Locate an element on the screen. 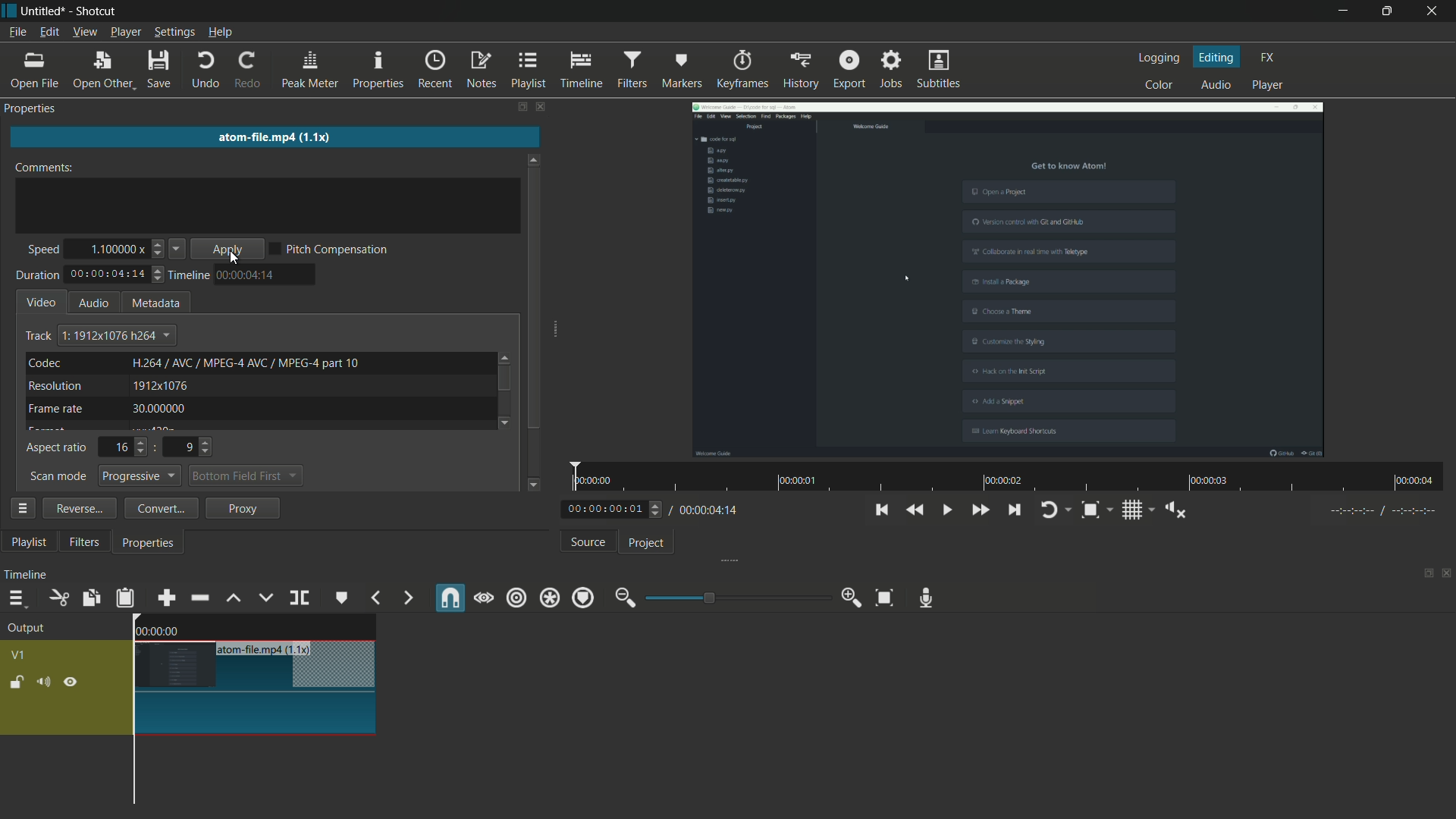  time is located at coordinates (162, 629).